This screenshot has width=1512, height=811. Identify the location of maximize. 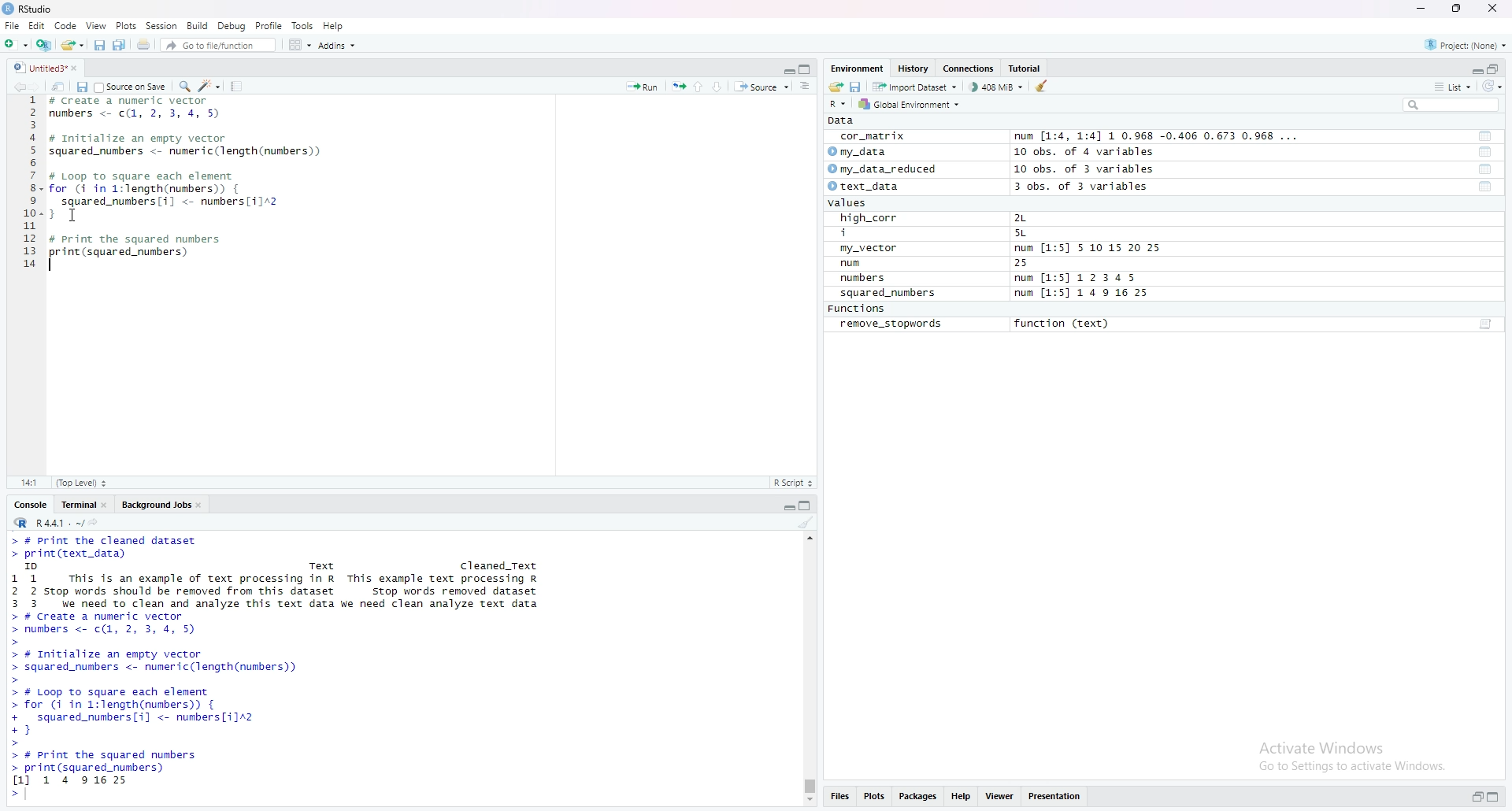
(807, 69).